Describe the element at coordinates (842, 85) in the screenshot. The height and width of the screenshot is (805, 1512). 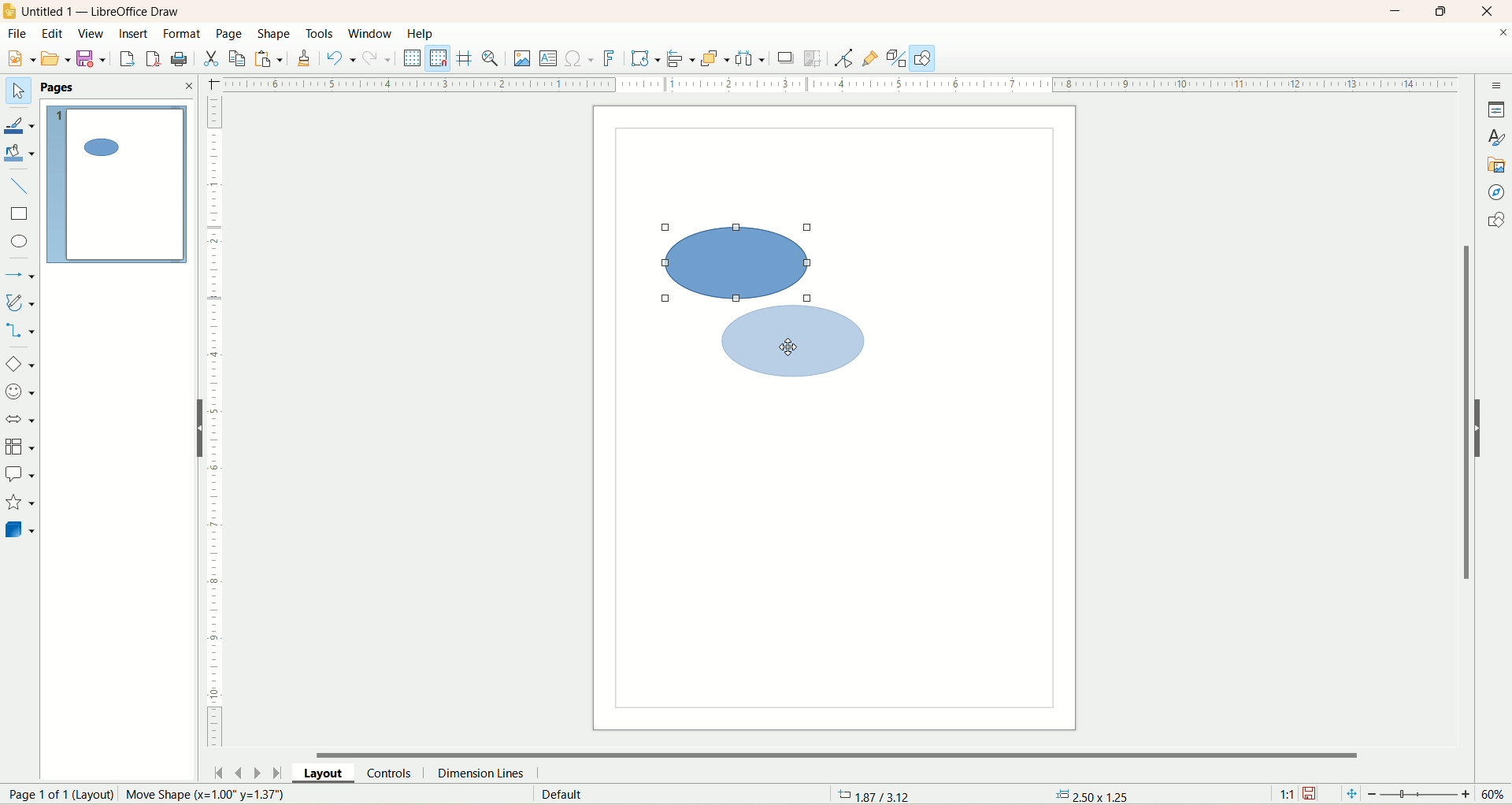
I see `scale bar` at that location.